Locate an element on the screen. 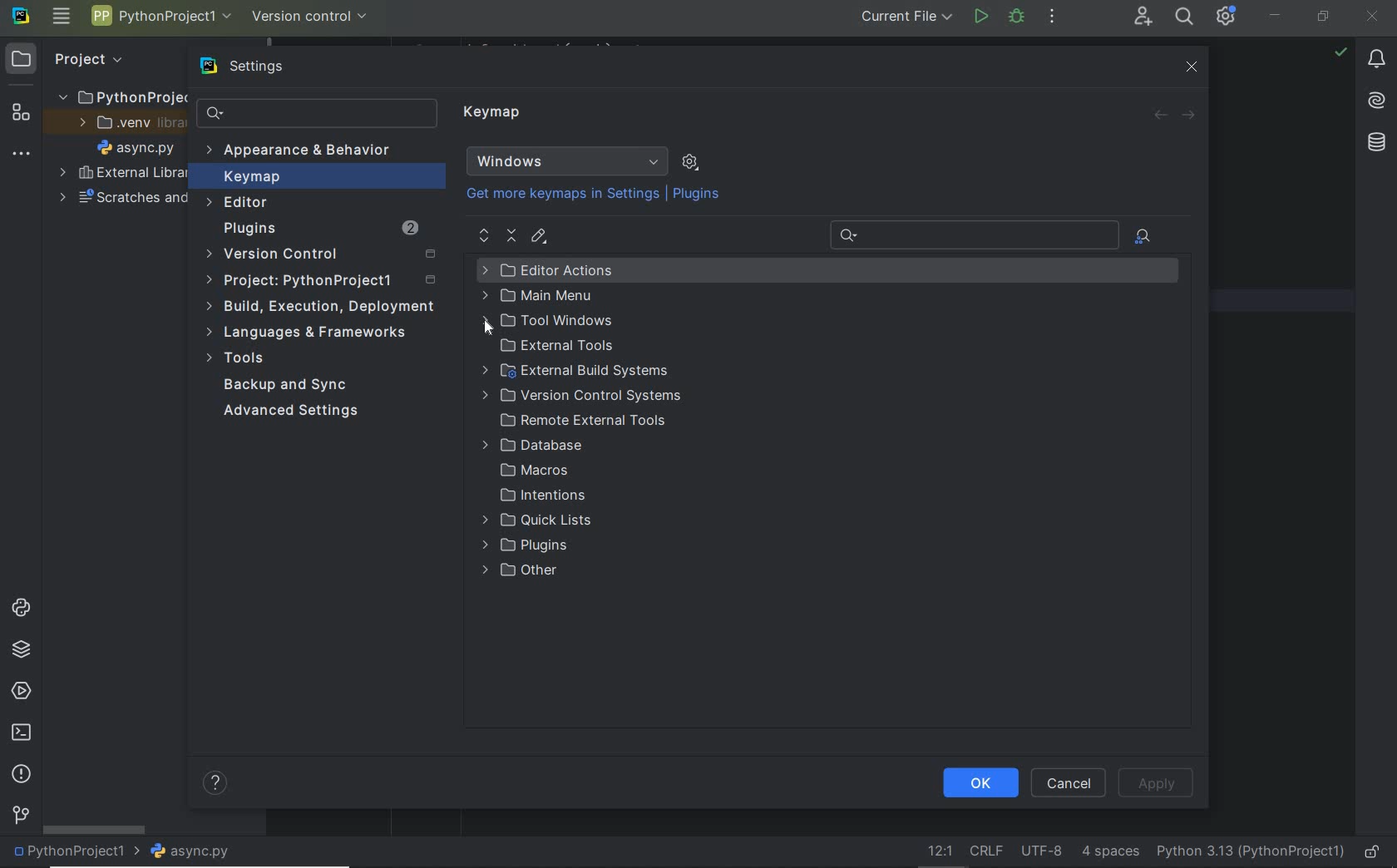 Image resolution: width=1397 pixels, height=868 pixels. database is located at coordinates (1375, 142).